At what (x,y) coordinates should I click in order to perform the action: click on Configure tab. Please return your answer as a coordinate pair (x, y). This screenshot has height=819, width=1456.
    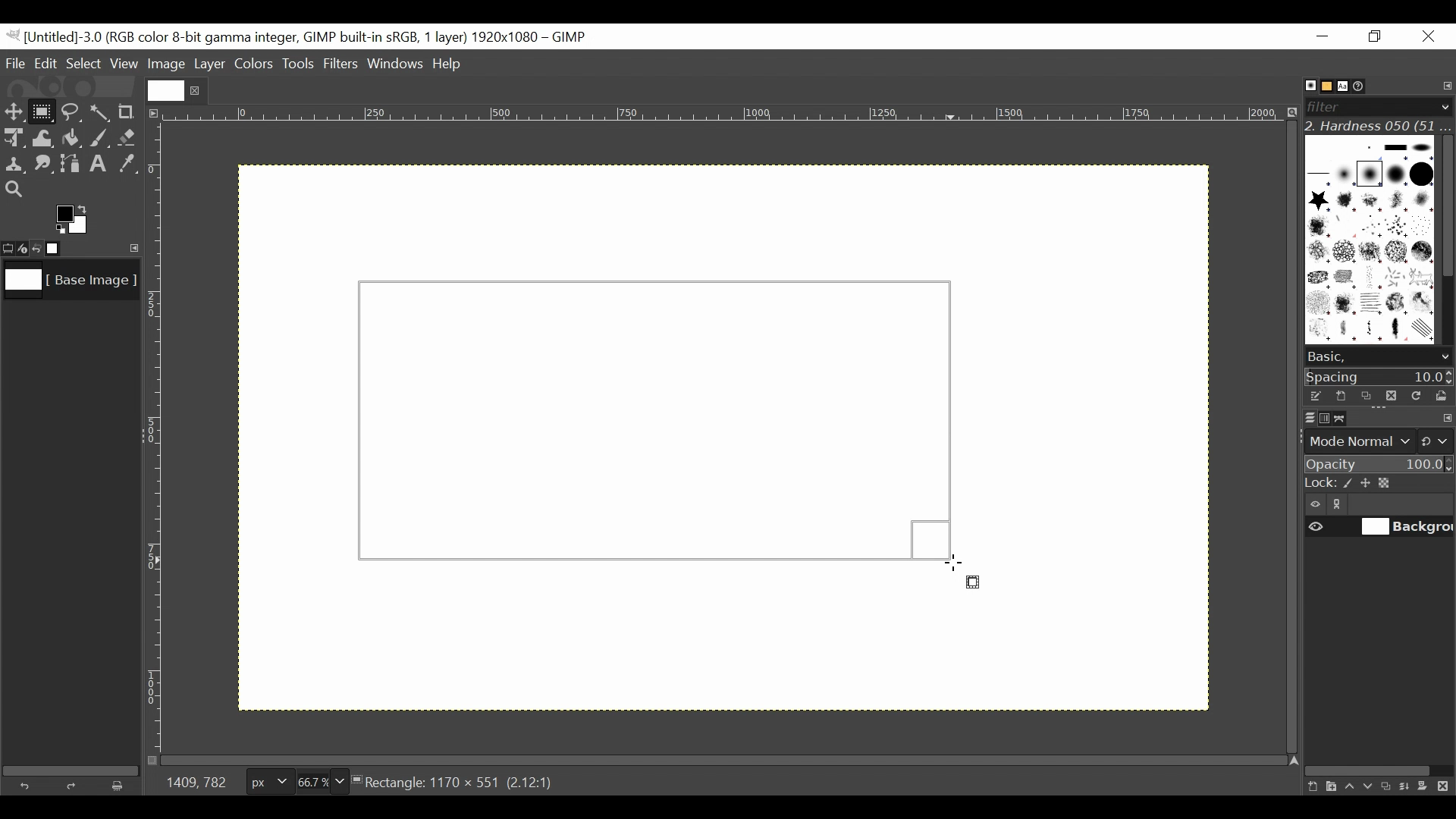
    Looking at the image, I should click on (1445, 86).